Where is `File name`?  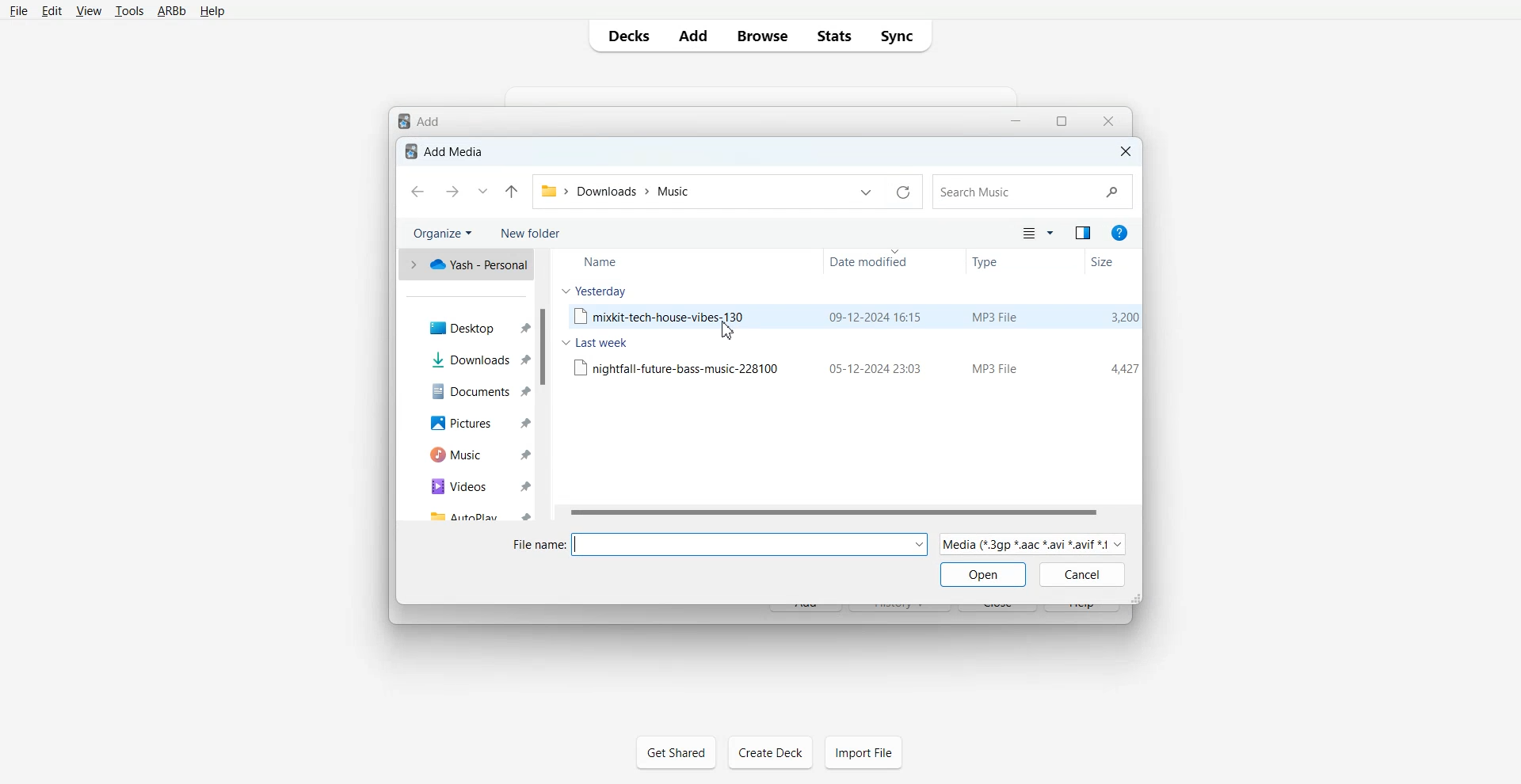 File name is located at coordinates (717, 544).